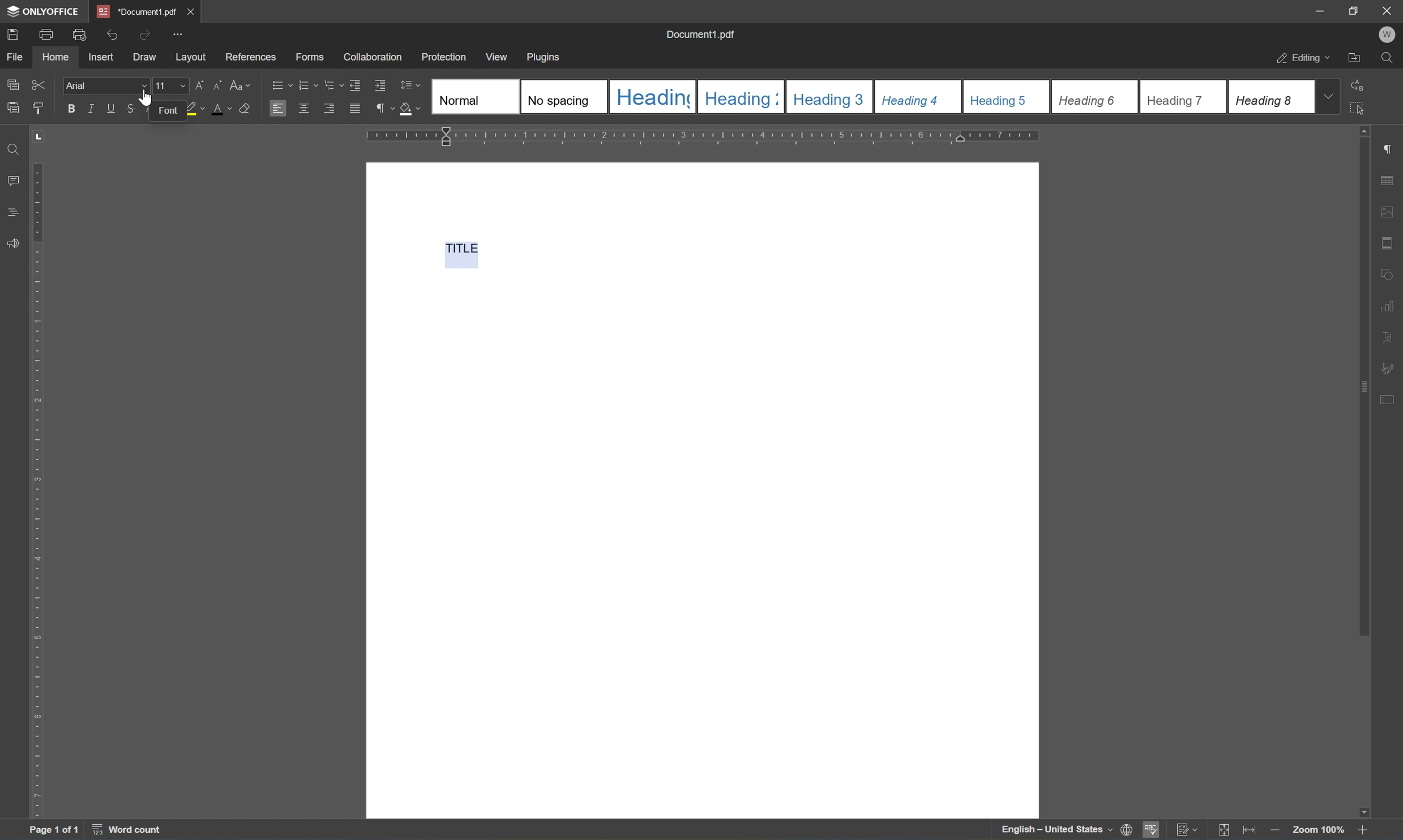 The width and height of the screenshot is (1403, 840). I want to click on protection, so click(444, 57).